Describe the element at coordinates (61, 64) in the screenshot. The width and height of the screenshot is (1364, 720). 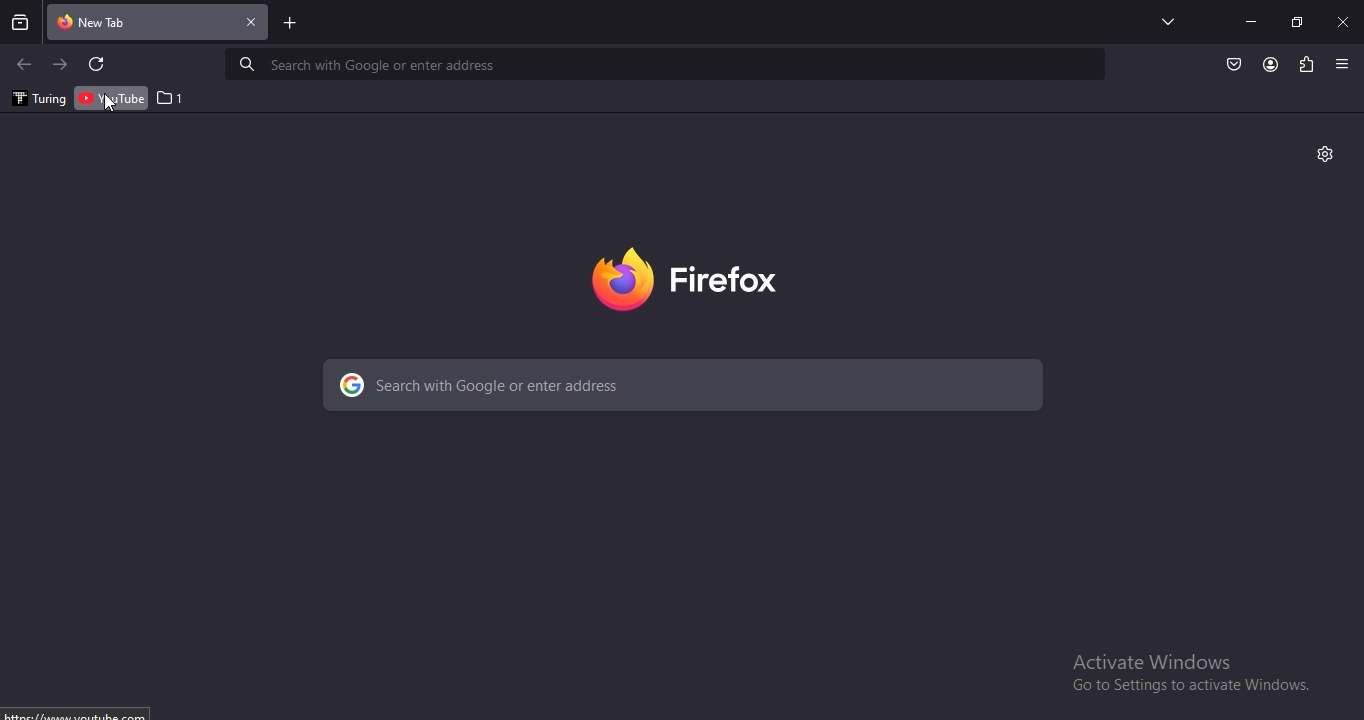
I see `click to go to next page` at that location.